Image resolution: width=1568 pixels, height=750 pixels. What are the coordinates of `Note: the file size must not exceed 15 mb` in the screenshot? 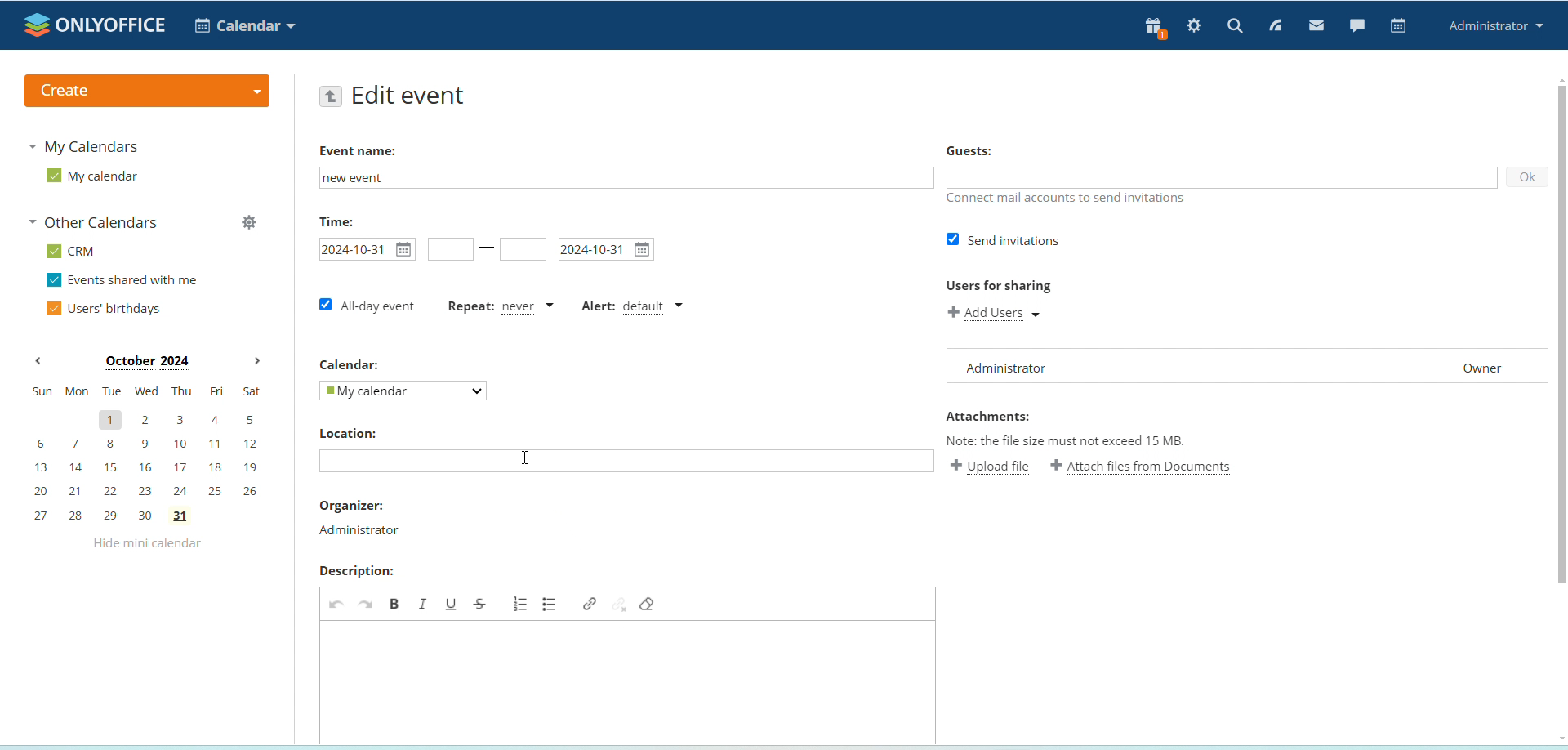 It's located at (1067, 440).